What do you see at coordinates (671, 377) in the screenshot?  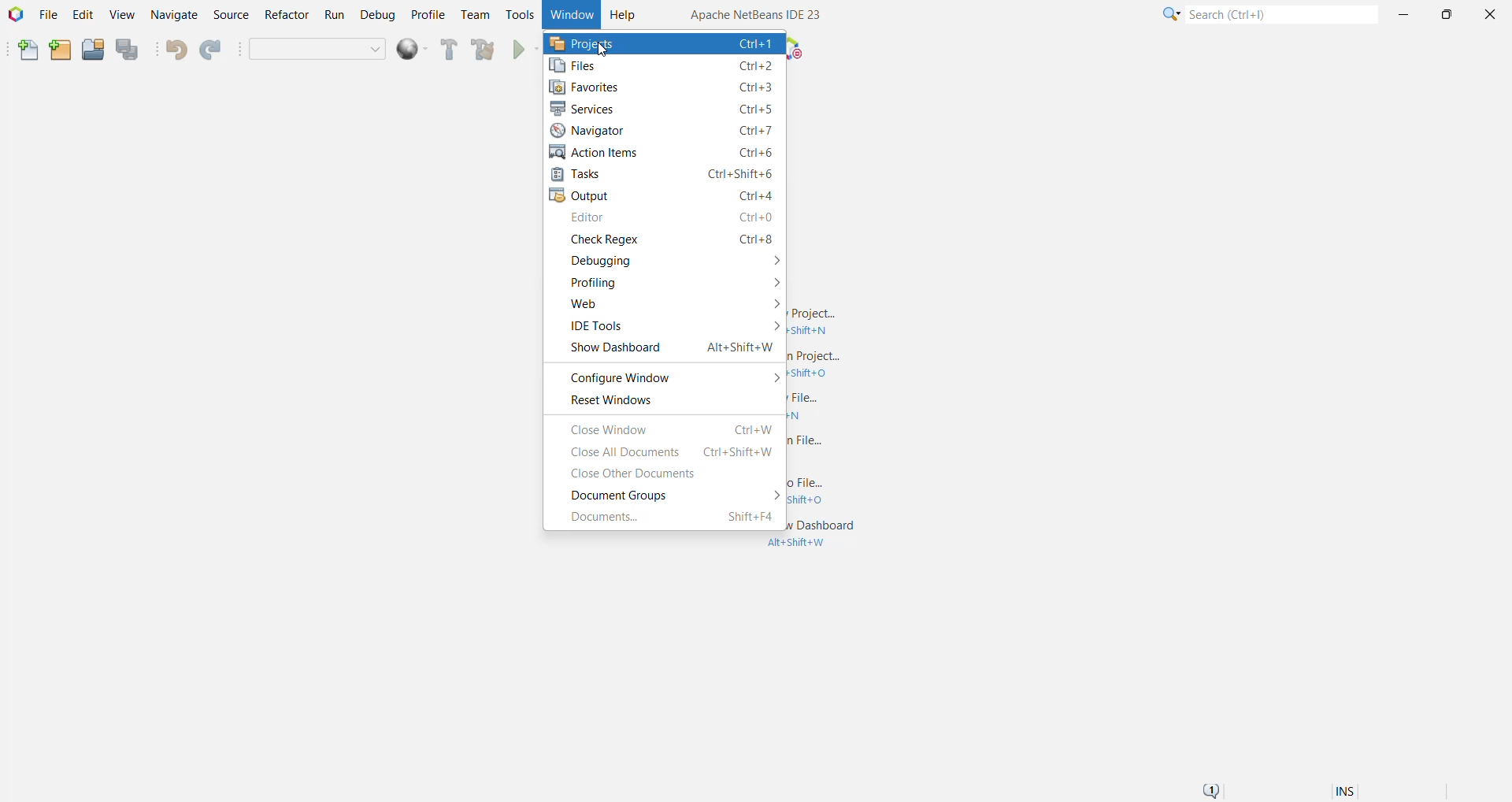 I see `Configure Window` at bounding box center [671, 377].